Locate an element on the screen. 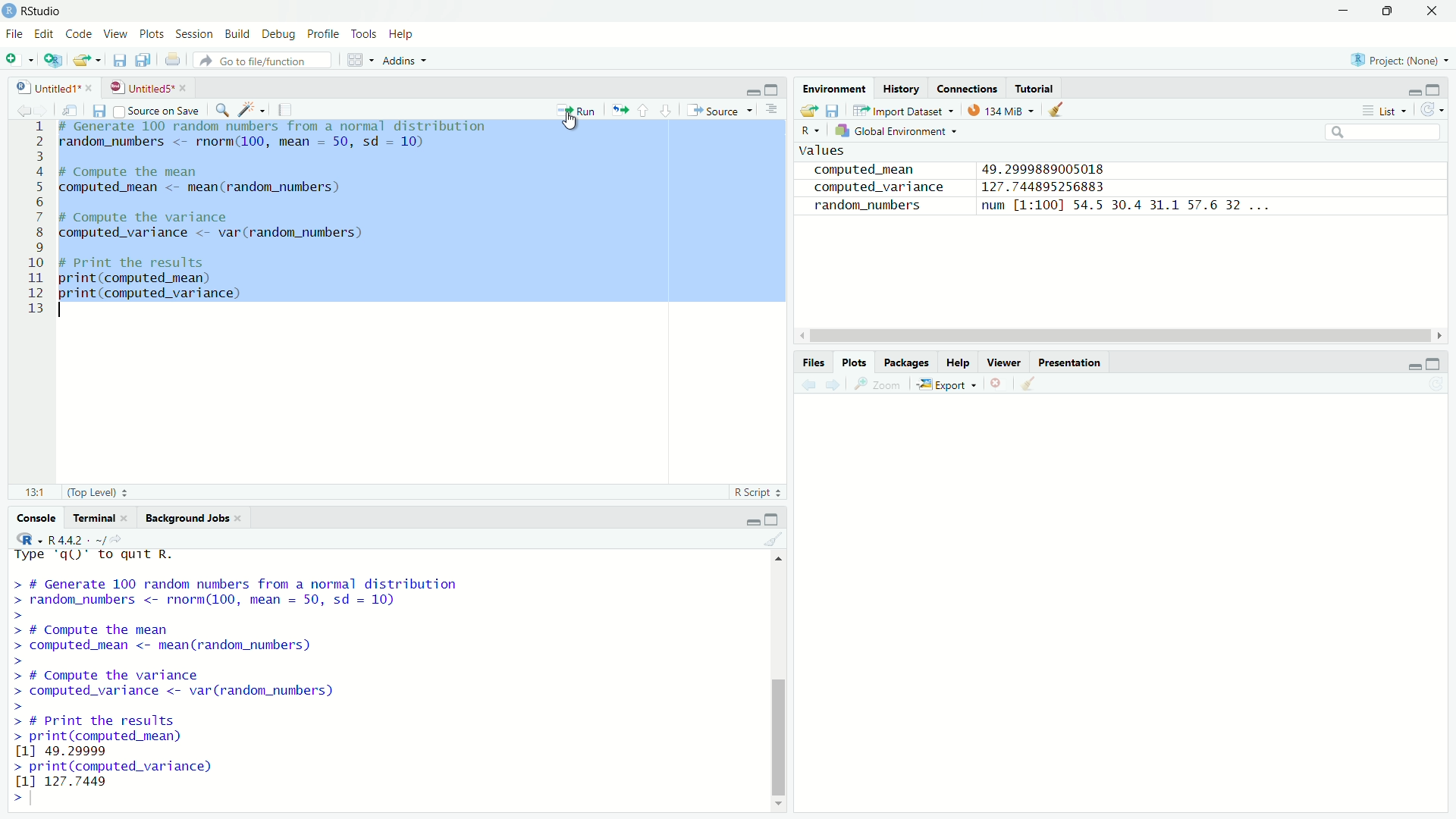  tools is located at coordinates (364, 32).